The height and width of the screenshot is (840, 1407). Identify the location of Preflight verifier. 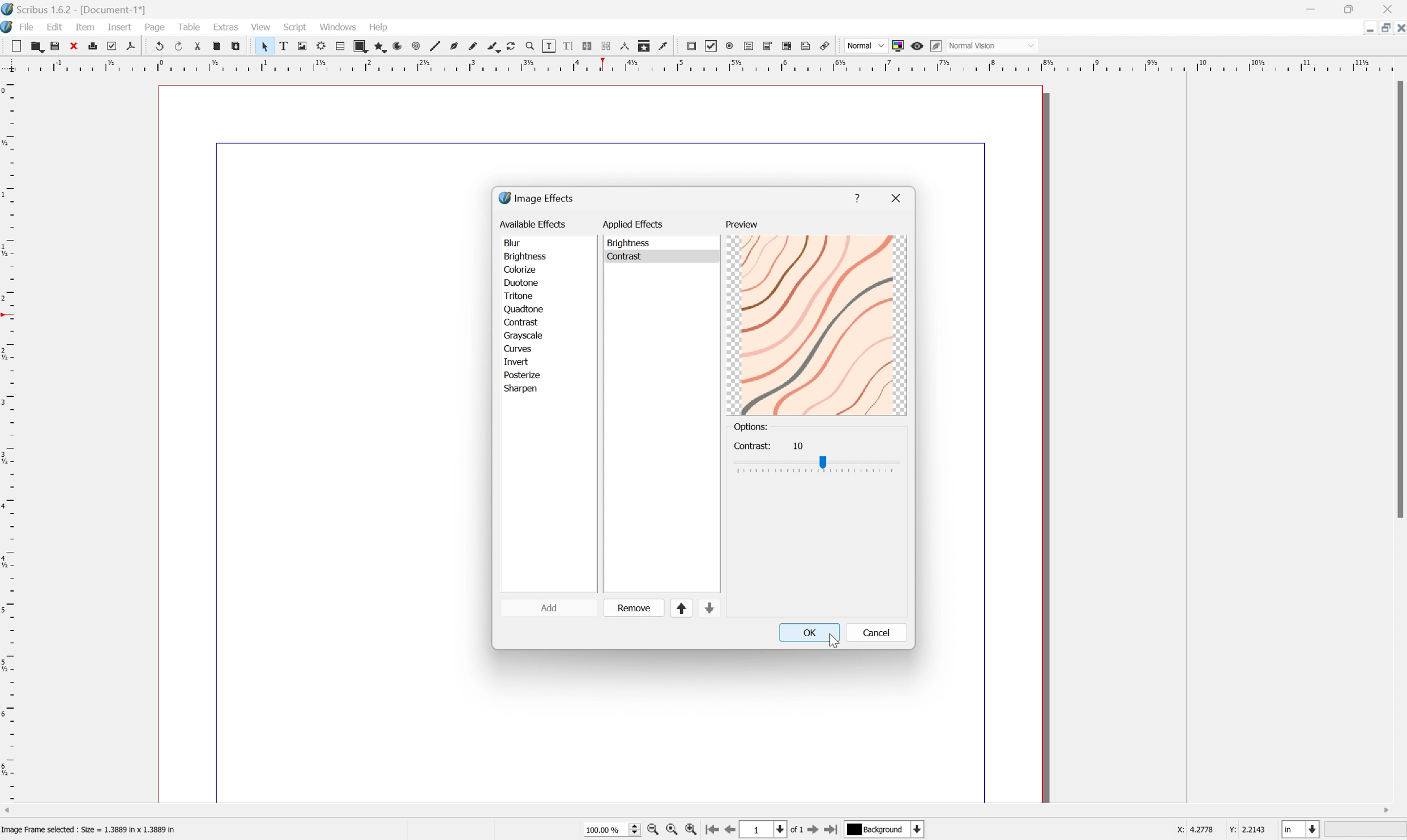
(113, 45).